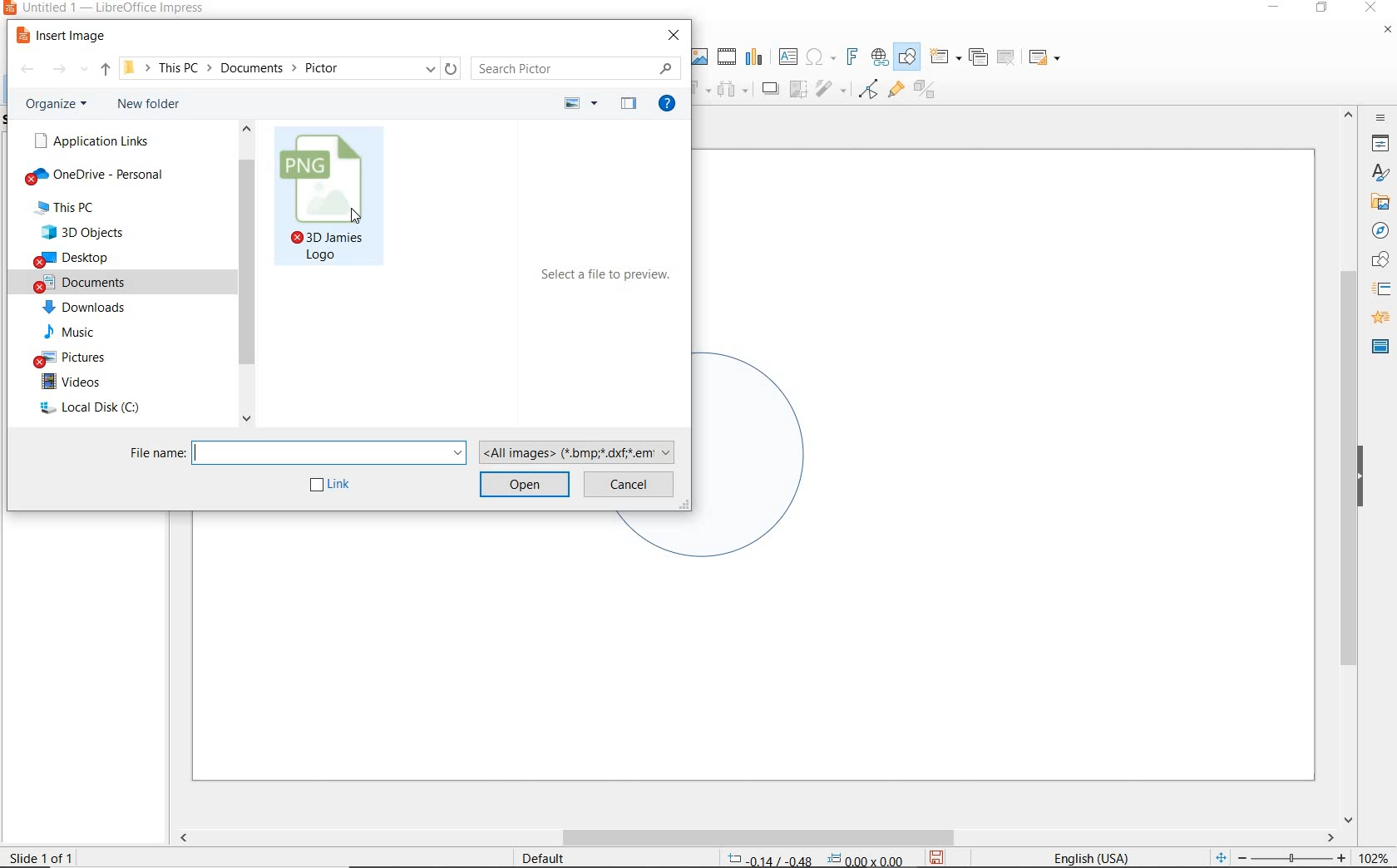  What do you see at coordinates (80, 332) in the screenshot?
I see `music` at bounding box center [80, 332].